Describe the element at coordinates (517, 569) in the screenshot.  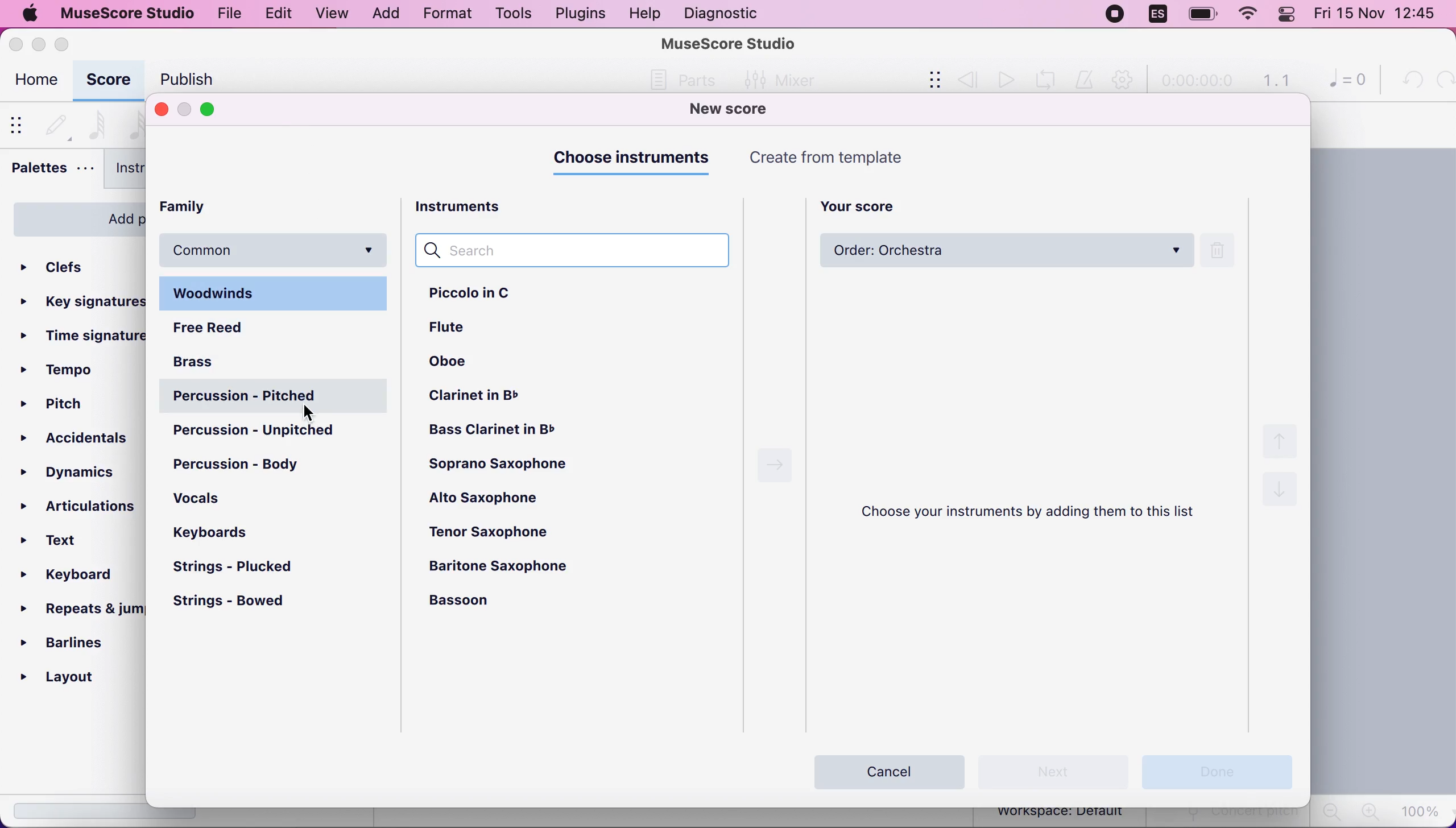
I see `baritone saxophone` at that location.